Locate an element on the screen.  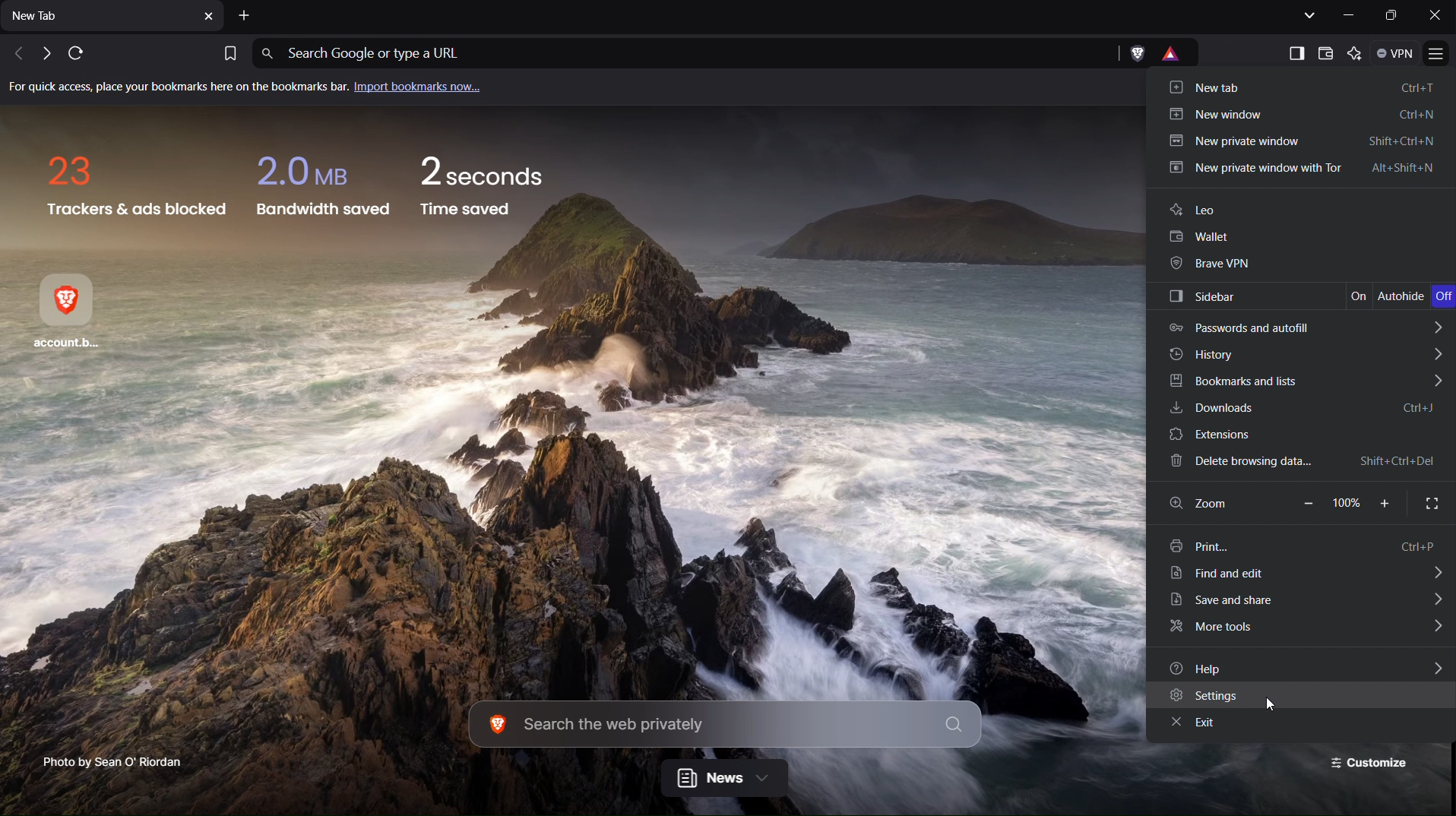
Next is located at coordinates (43, 55).